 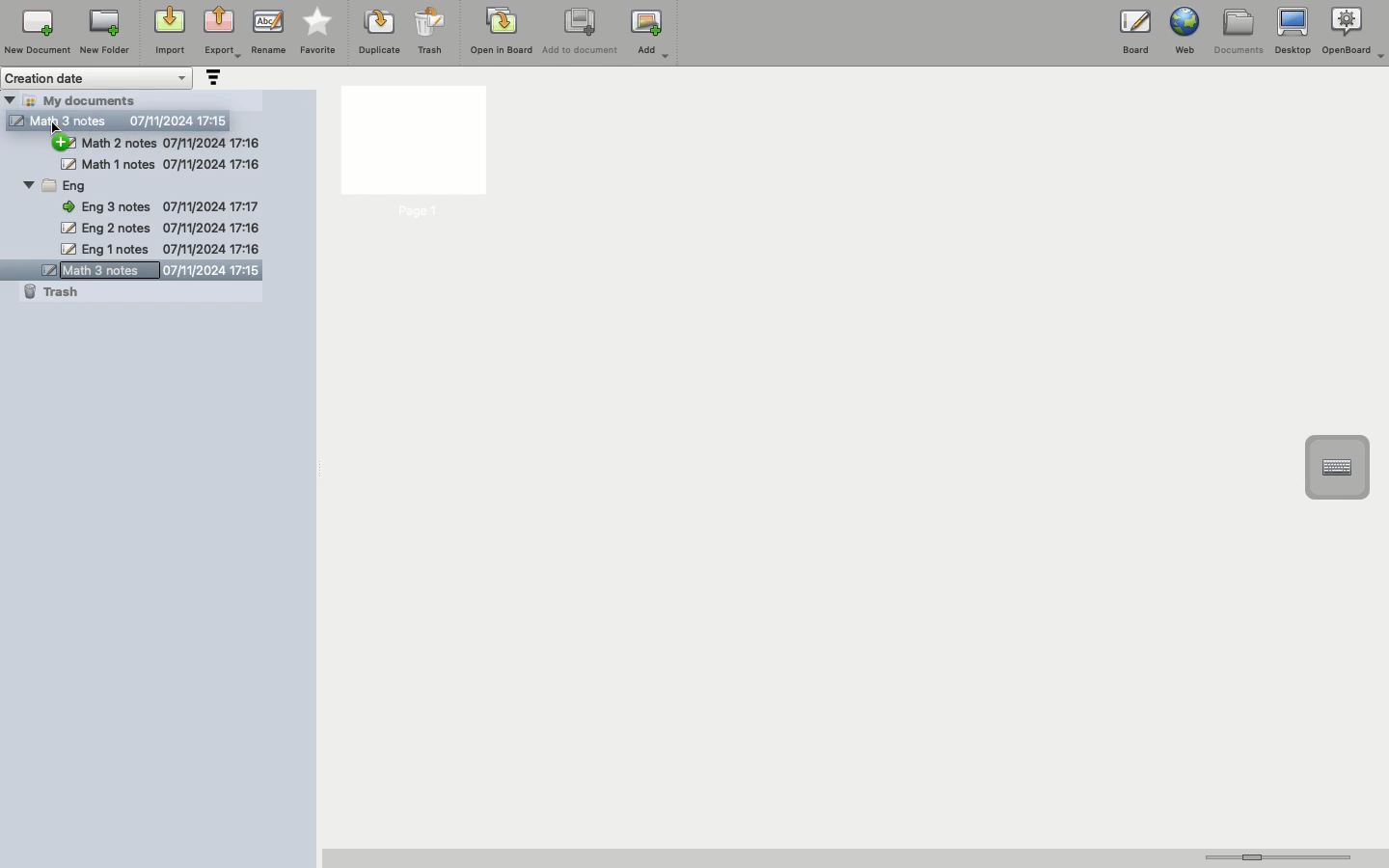 What do you see at coordinates (140, 272) in the screenshot?
I see `Math 3 notes` at bounding box center [140, 272].